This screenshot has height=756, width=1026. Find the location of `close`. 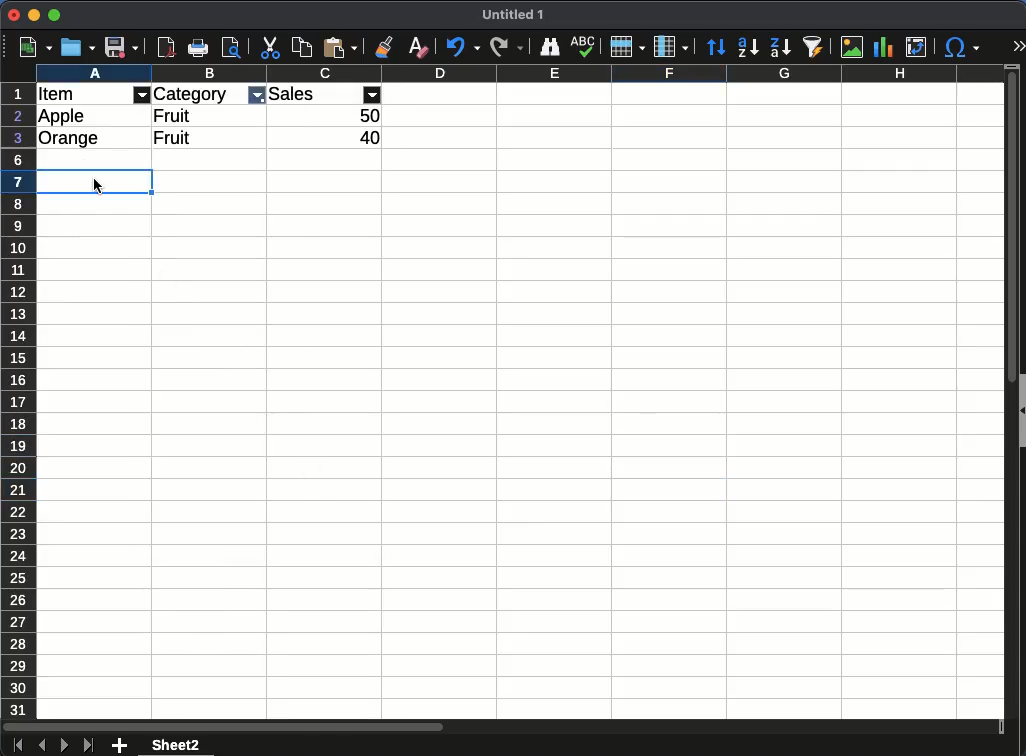

close is located at coordinates (13, 15).